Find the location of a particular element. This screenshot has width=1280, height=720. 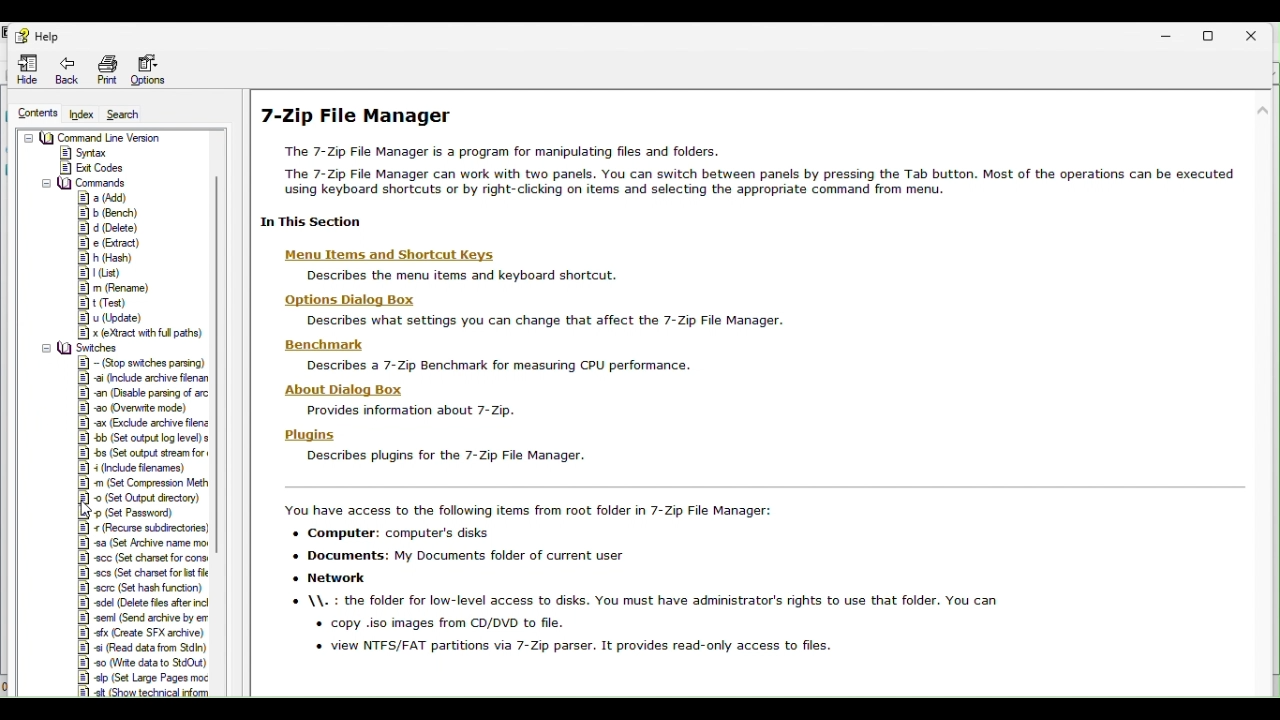

delete Files after incl is located at coordinates (142, 603).